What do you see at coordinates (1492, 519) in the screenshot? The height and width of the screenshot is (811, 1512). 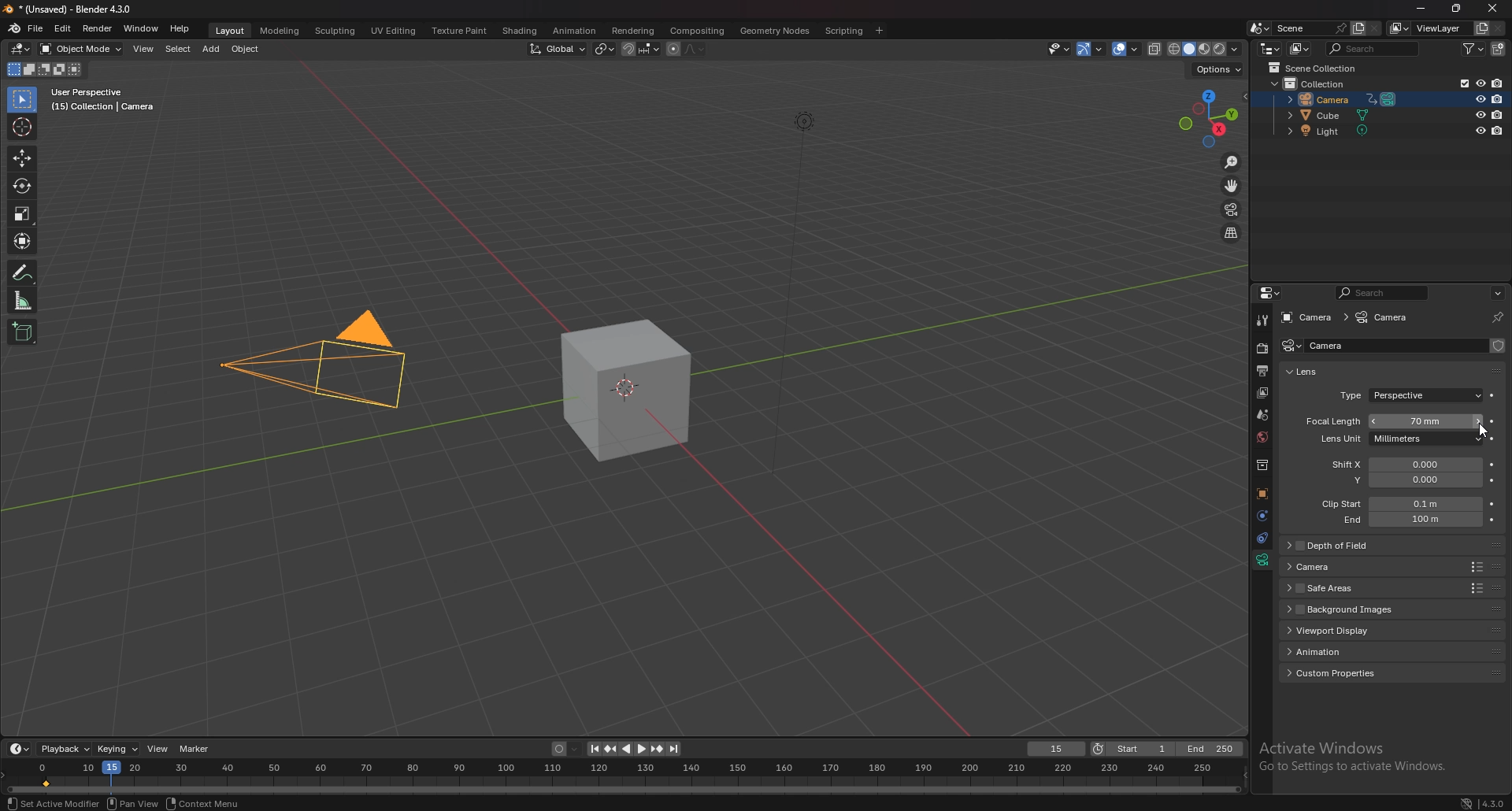 I see `animate property` at bounding box center [1492, 519].